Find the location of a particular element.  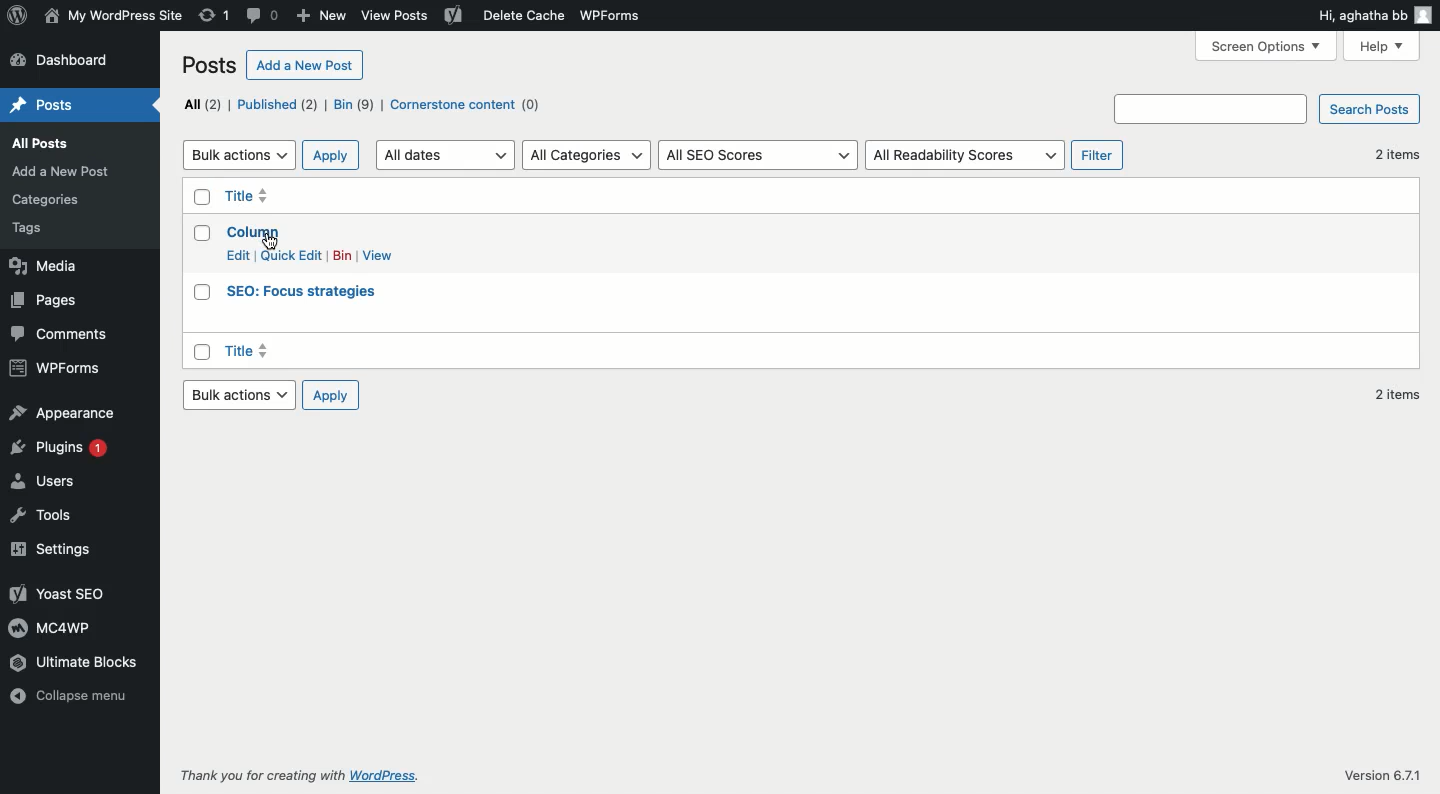

Comments is located at coordinates (66, 334).